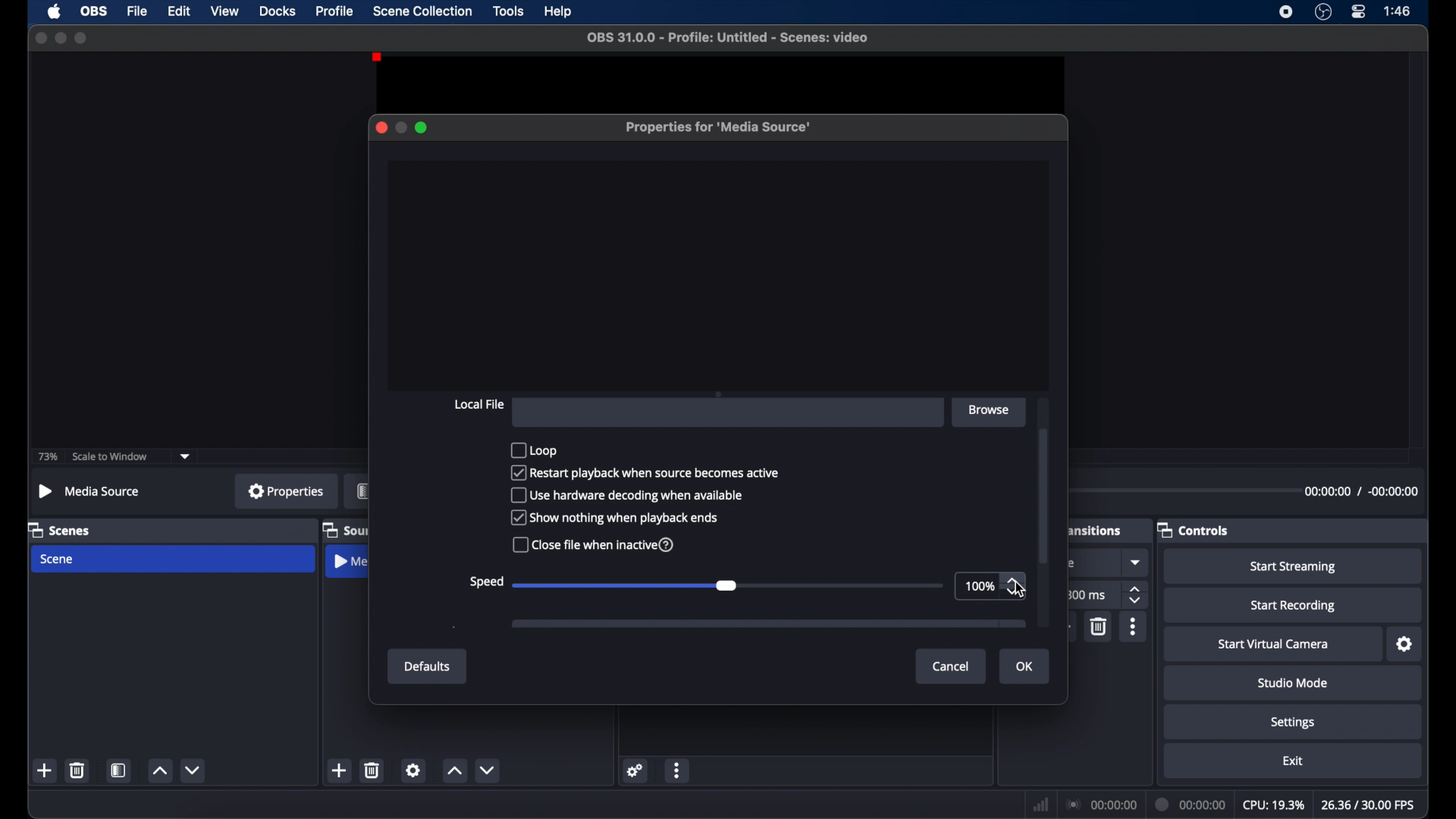  Describe the element at coordinates (453, 770) in the screenshot. I see `increment` at that location.